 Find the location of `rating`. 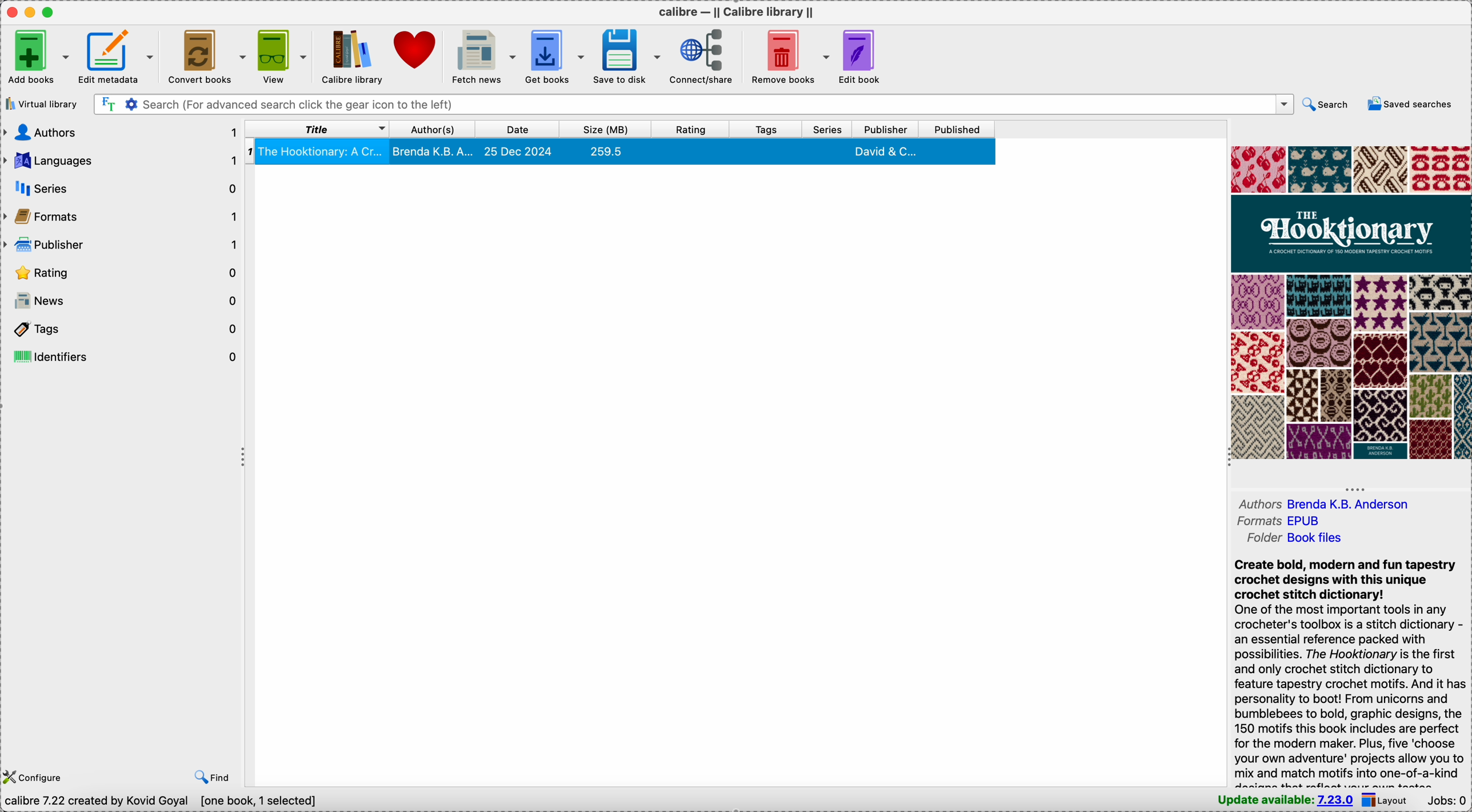

rating is located at coordinates (123, 272).